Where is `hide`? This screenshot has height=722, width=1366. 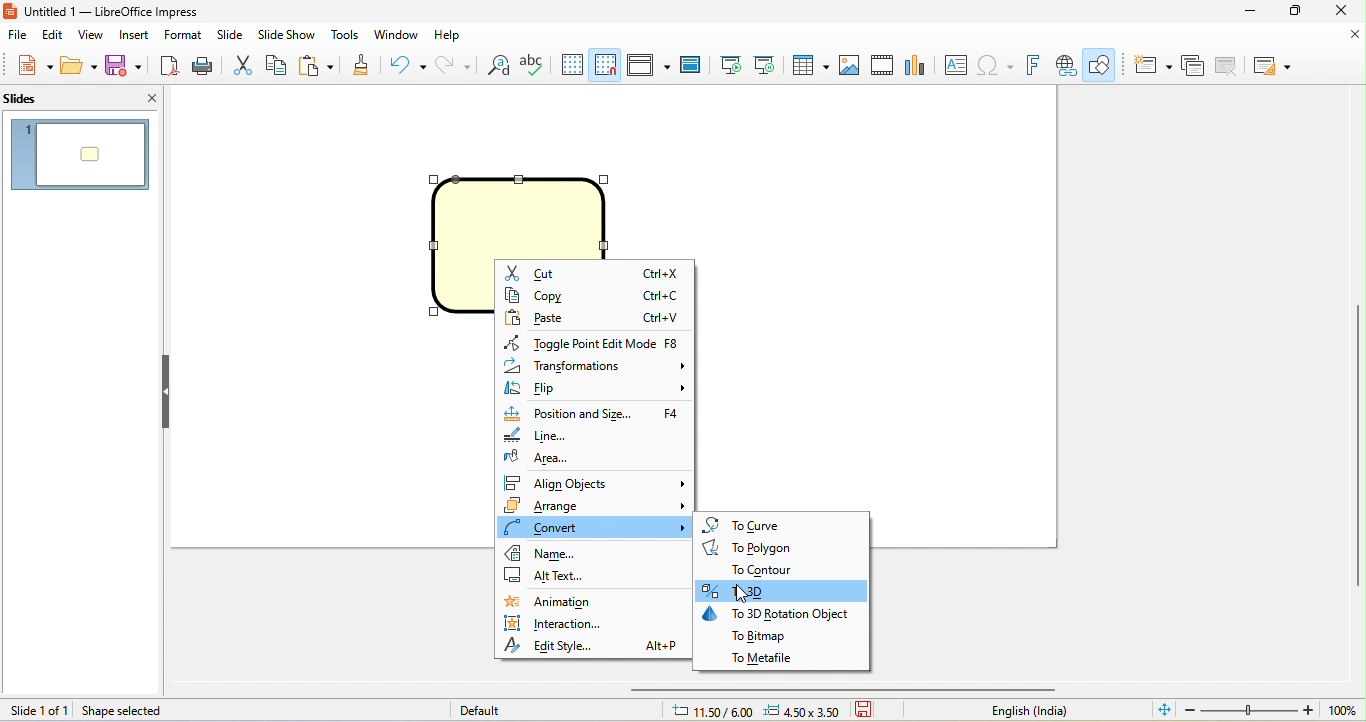 hide is located at coordinates (167, 391).